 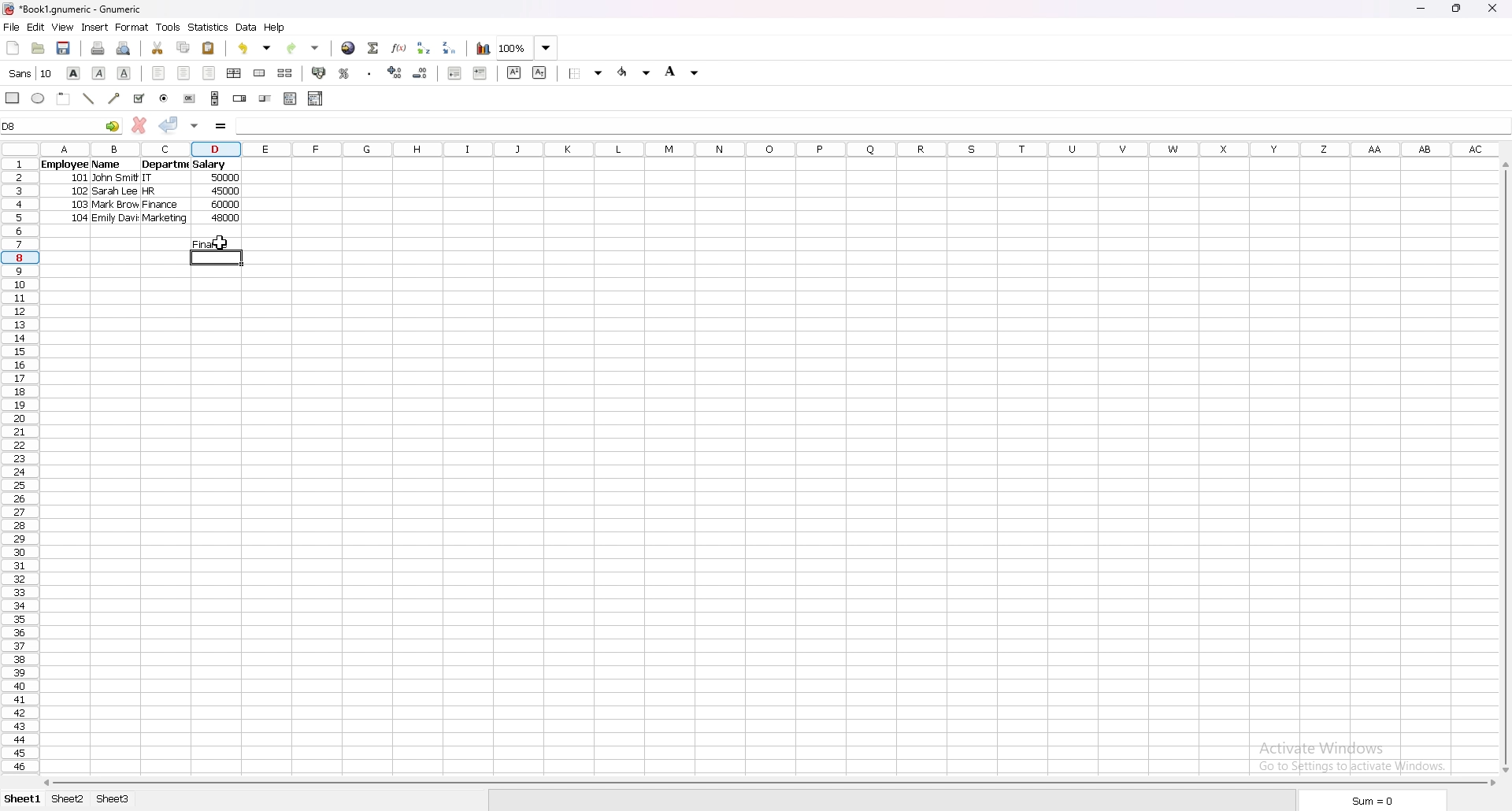 I want to click on frame, so click(x=64, y=98).